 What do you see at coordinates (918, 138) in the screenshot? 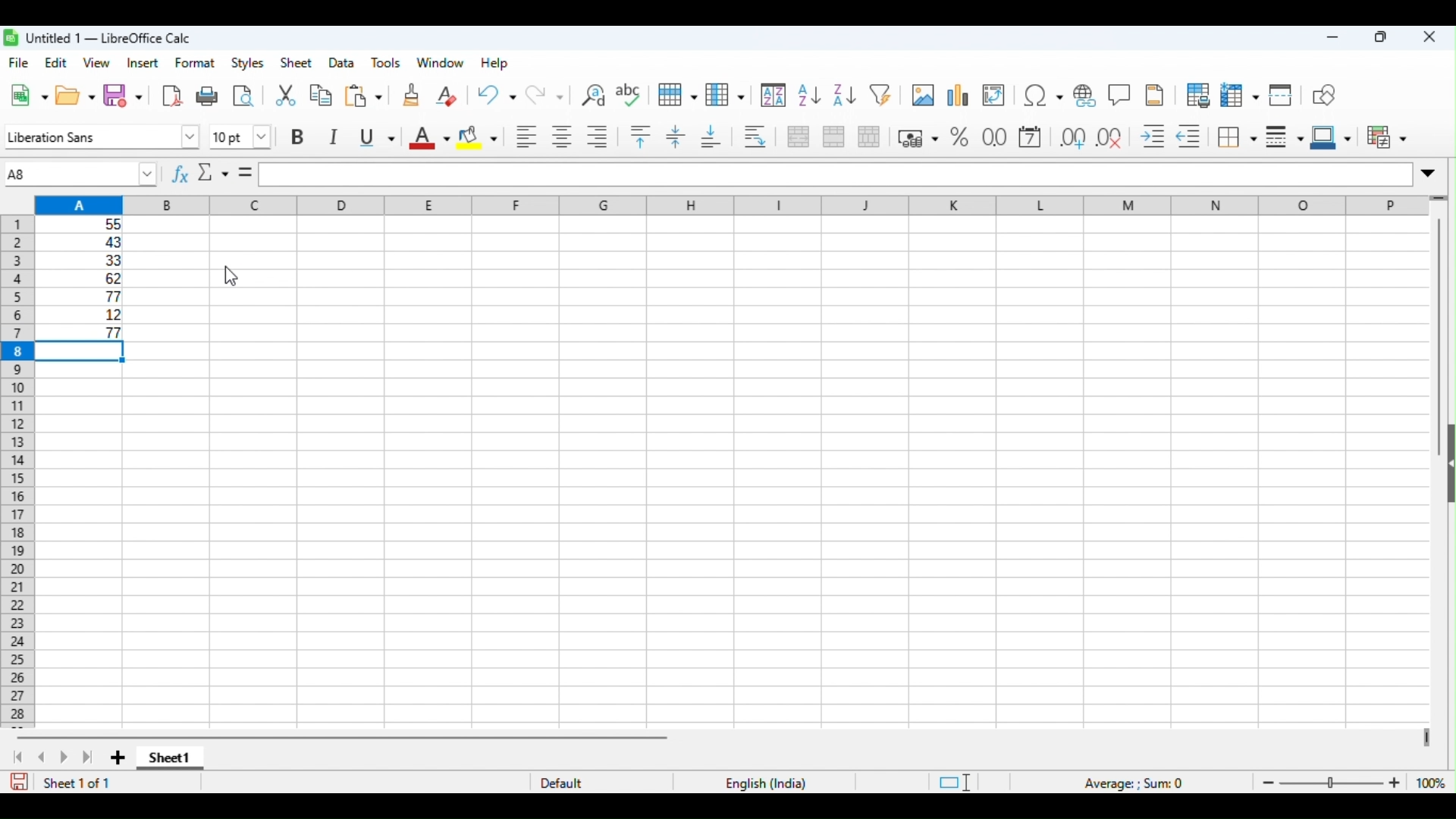
I see `format as currency` at bounding box center [918, 138].